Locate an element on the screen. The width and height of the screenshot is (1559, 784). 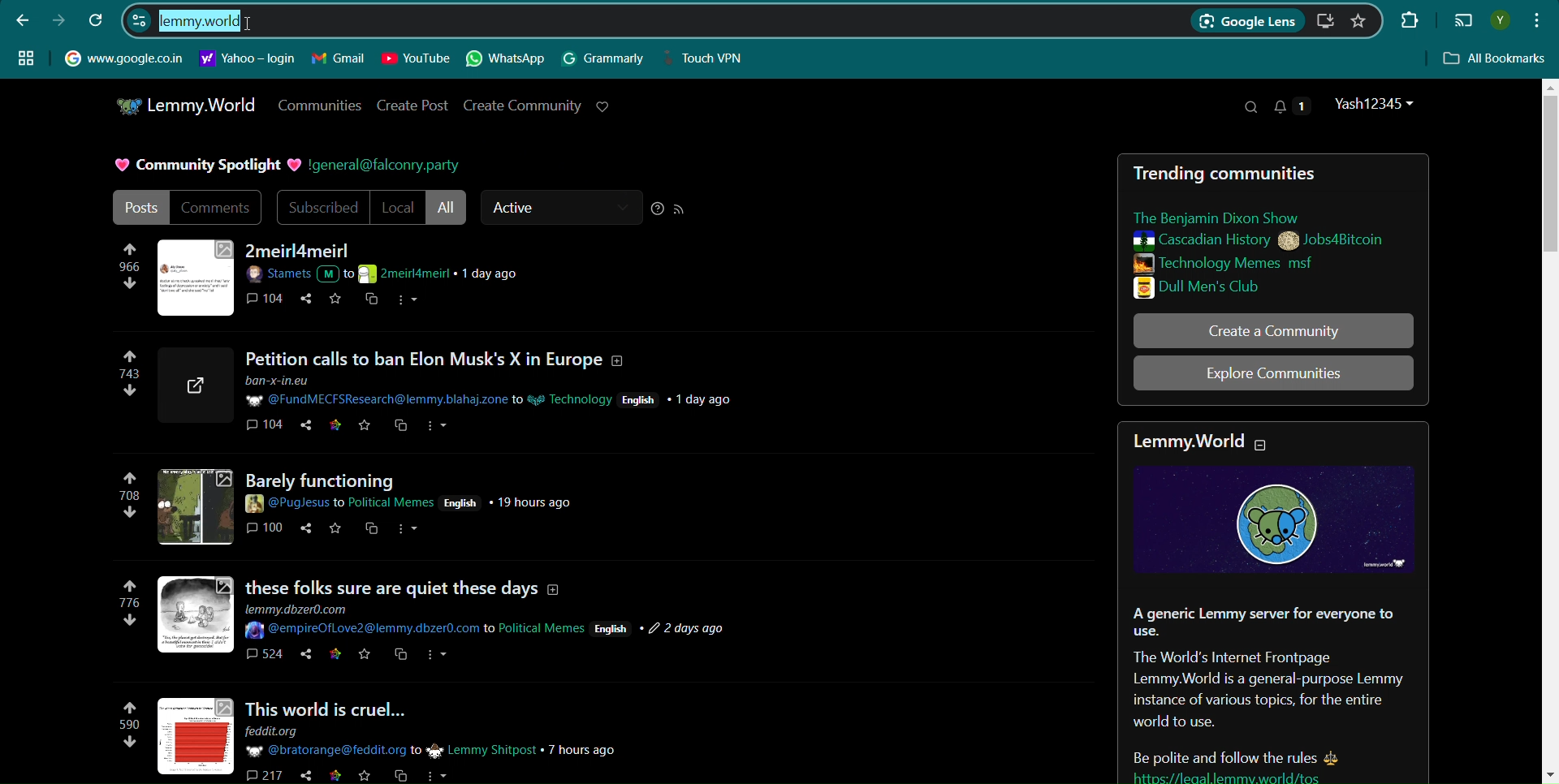
URL is located at coordinates (196, 386).